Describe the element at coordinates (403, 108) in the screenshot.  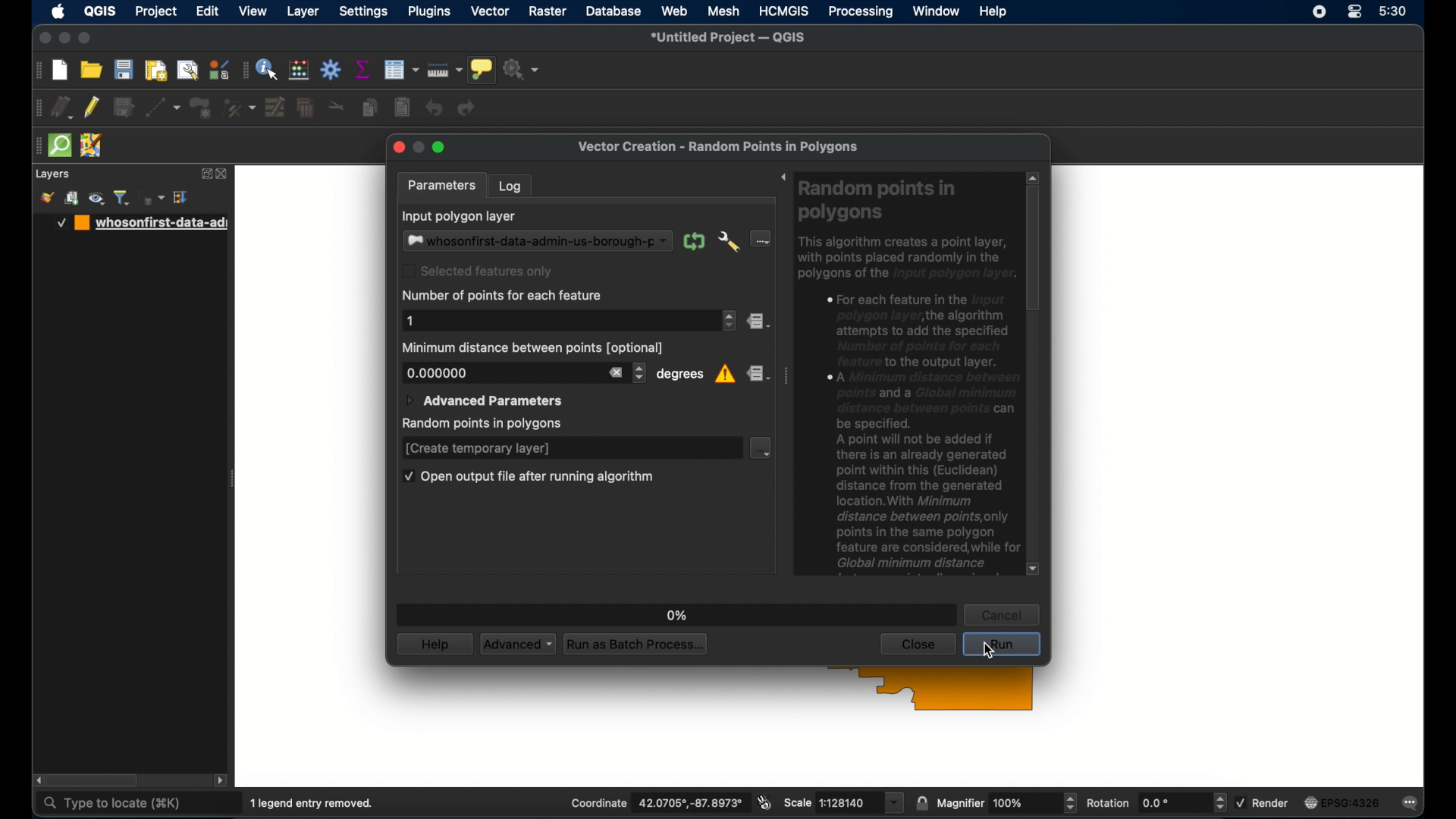
I see `paste features` at that location.